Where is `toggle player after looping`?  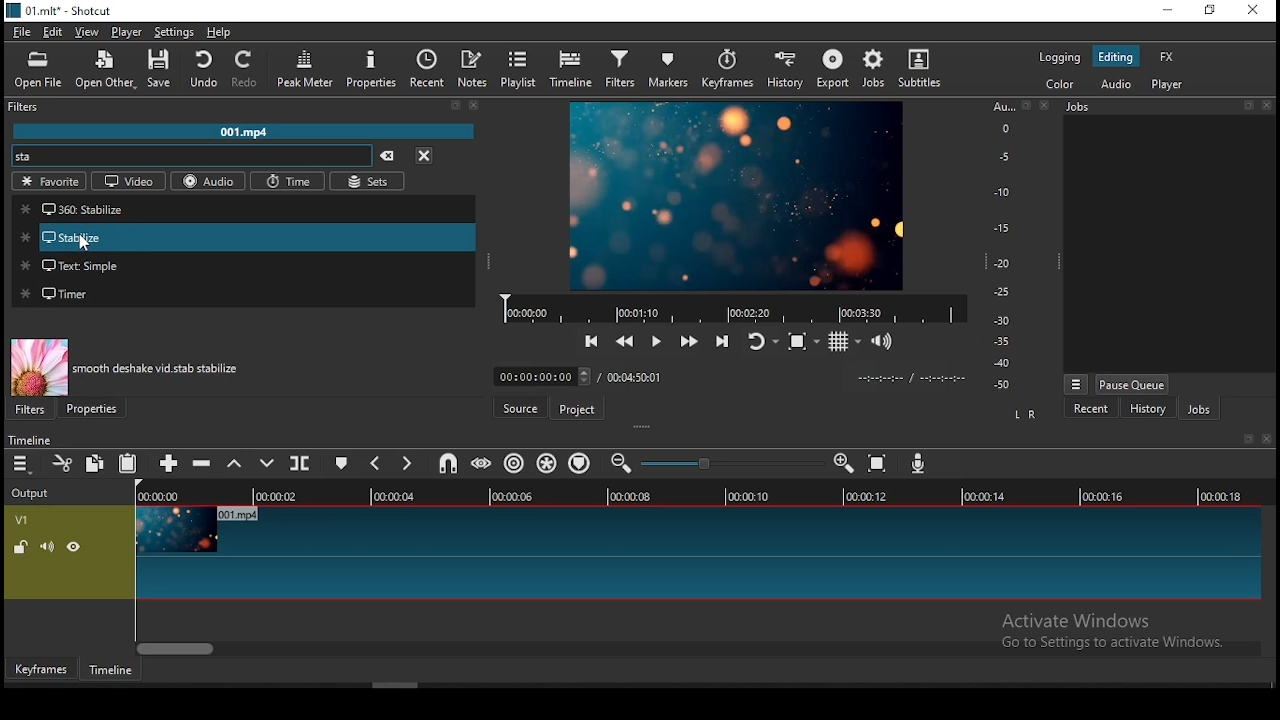
toggle player after looping is located at coordinates (759, 340).